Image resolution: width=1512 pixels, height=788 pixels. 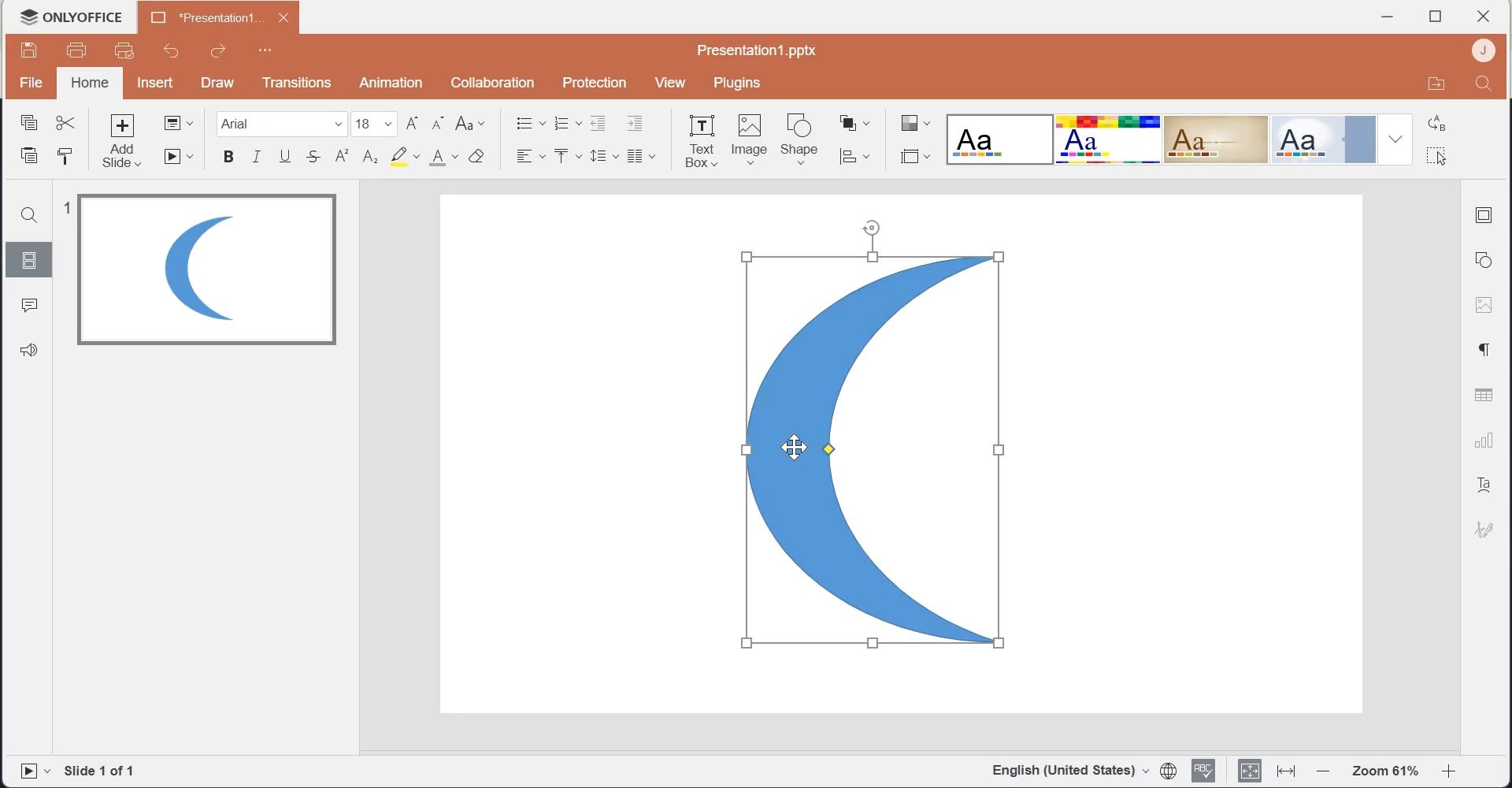 What do you see at coordinates (1206, 771) in the screenshot?
I see `Spell checking` at bounding box center [1206, 771].